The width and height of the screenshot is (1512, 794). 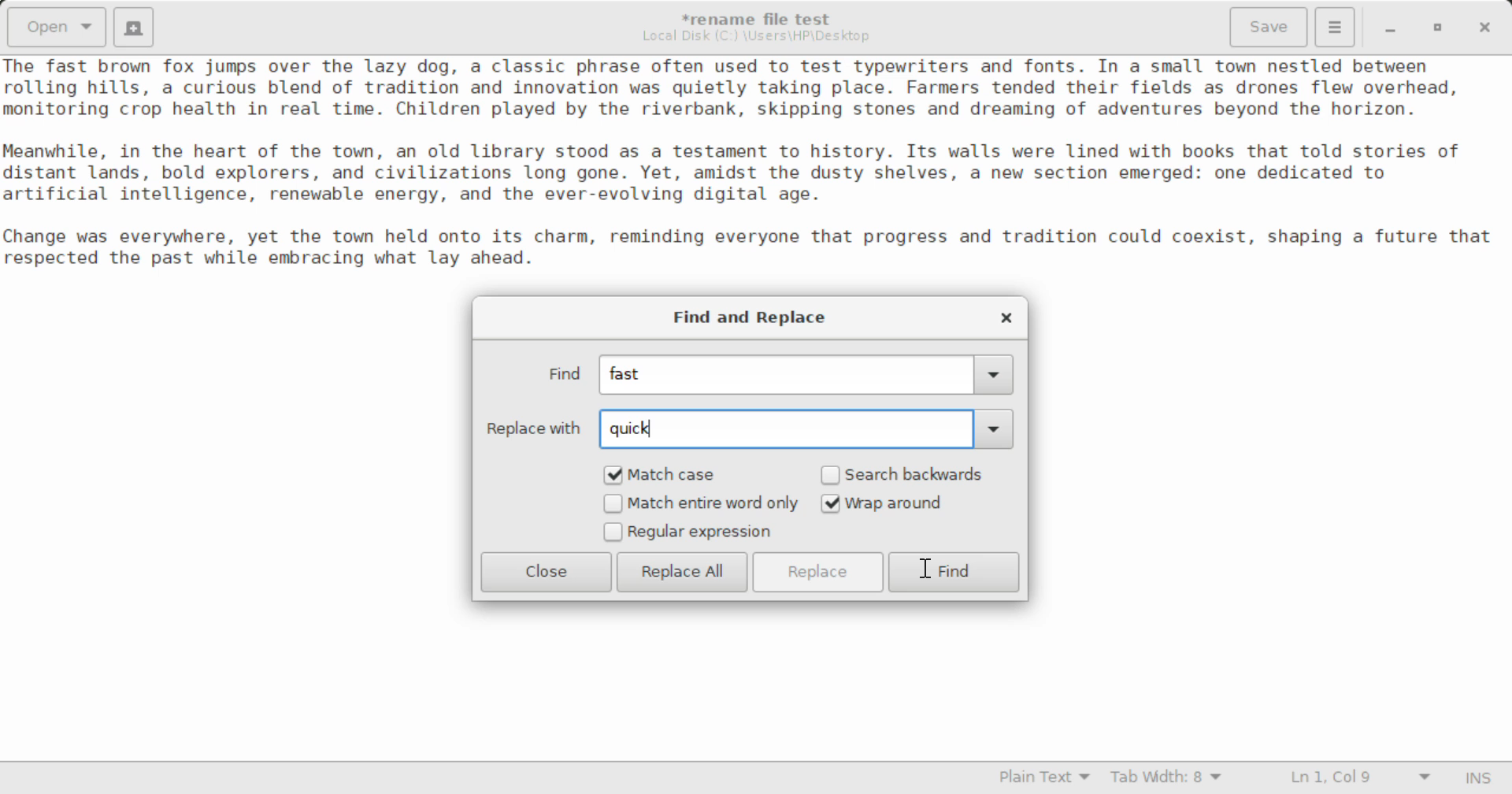 What do you see at coordinates (688, 533) in the screenshot?
I see `Regular expression ` at bounding box center [688, 533].